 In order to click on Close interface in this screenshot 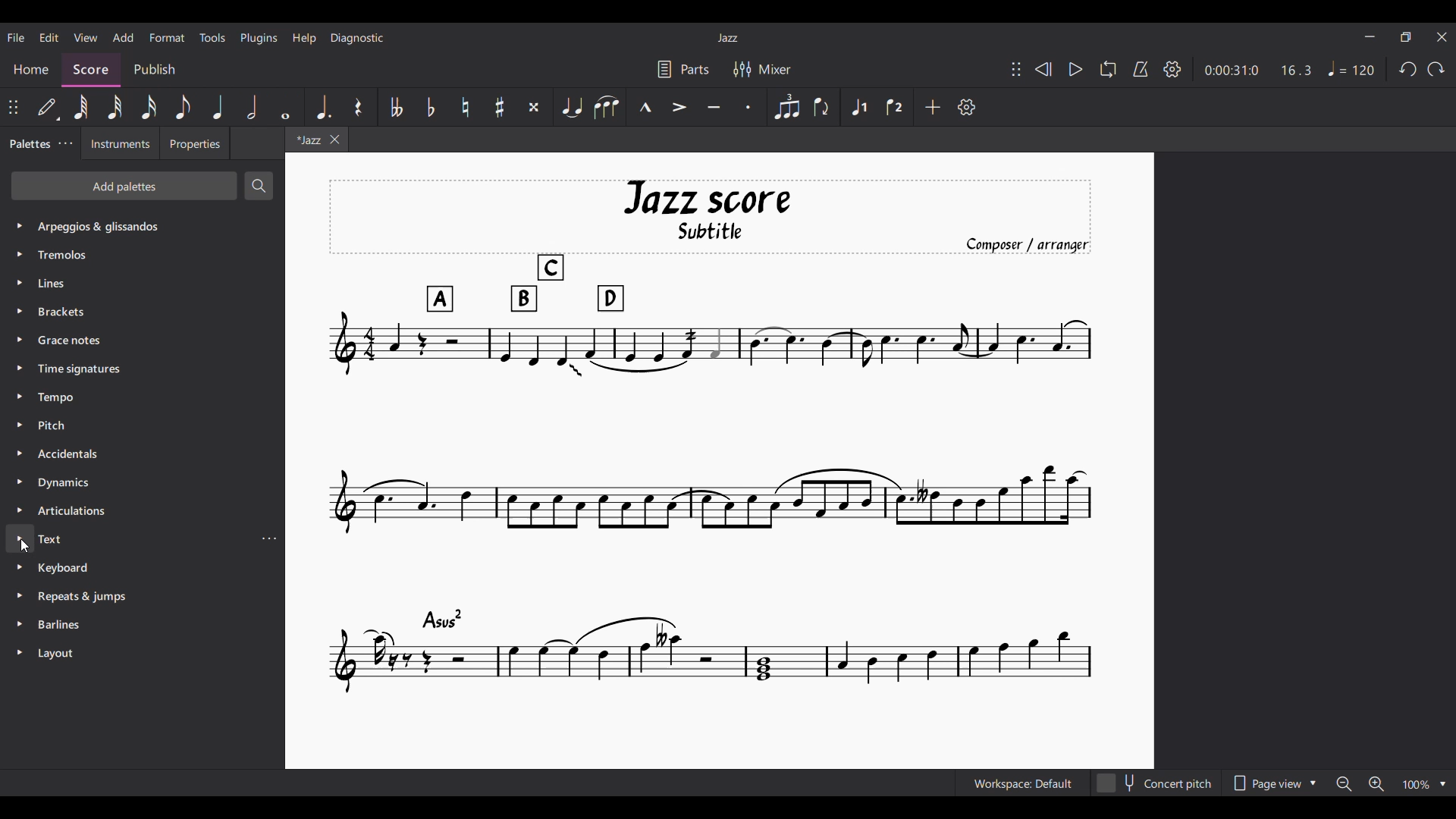, I will do `click(1442, 37)`.